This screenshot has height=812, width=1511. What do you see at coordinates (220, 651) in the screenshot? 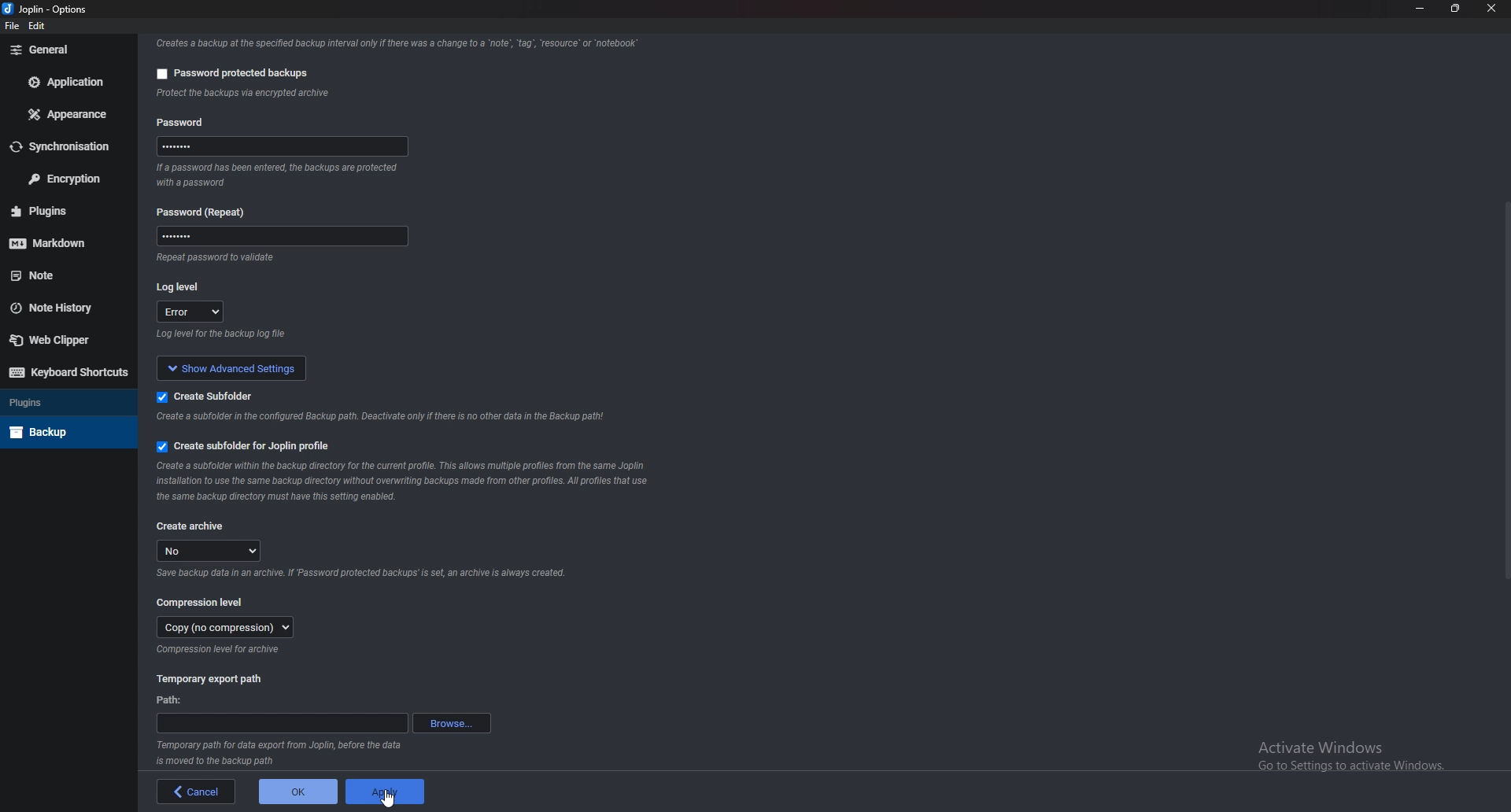
I see `Info` at bounding box center [220, 651].